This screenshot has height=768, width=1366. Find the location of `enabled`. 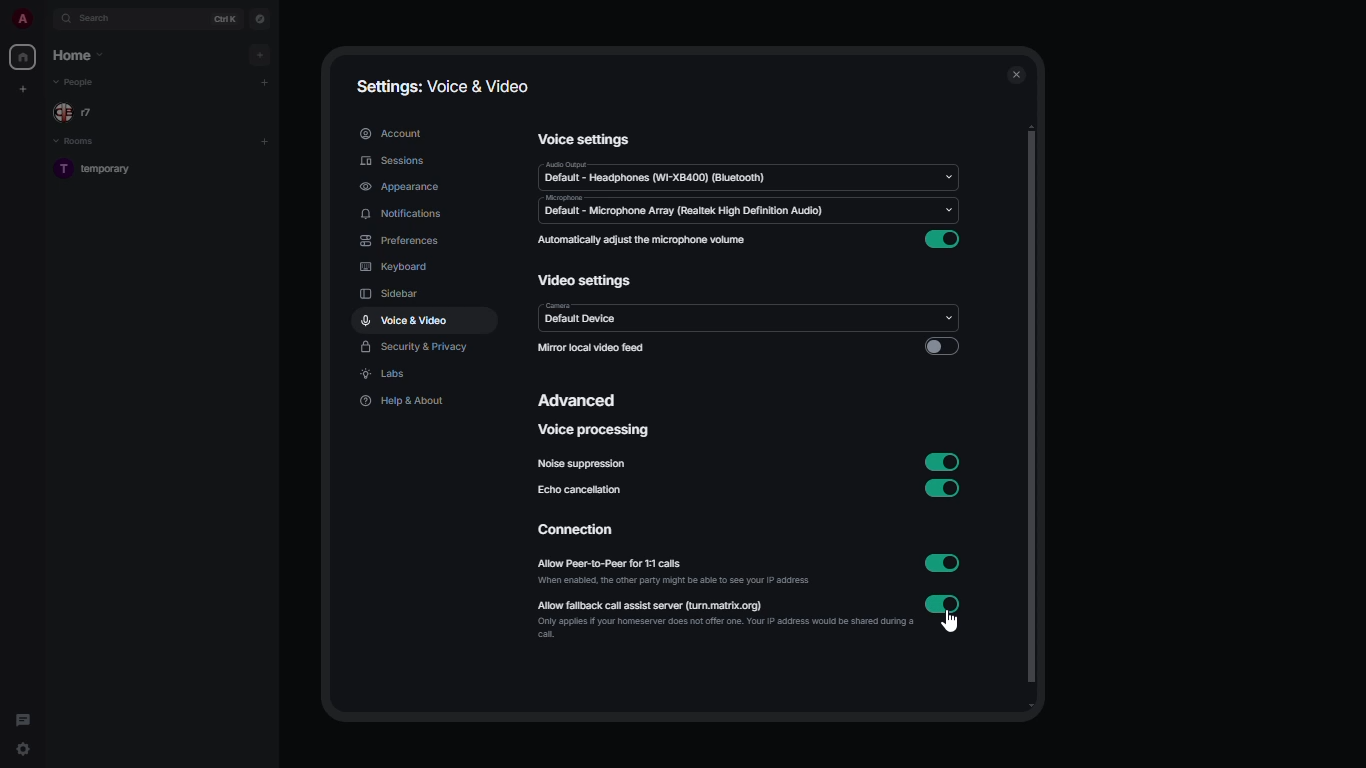

enabled is located at coordinates (942, 489).